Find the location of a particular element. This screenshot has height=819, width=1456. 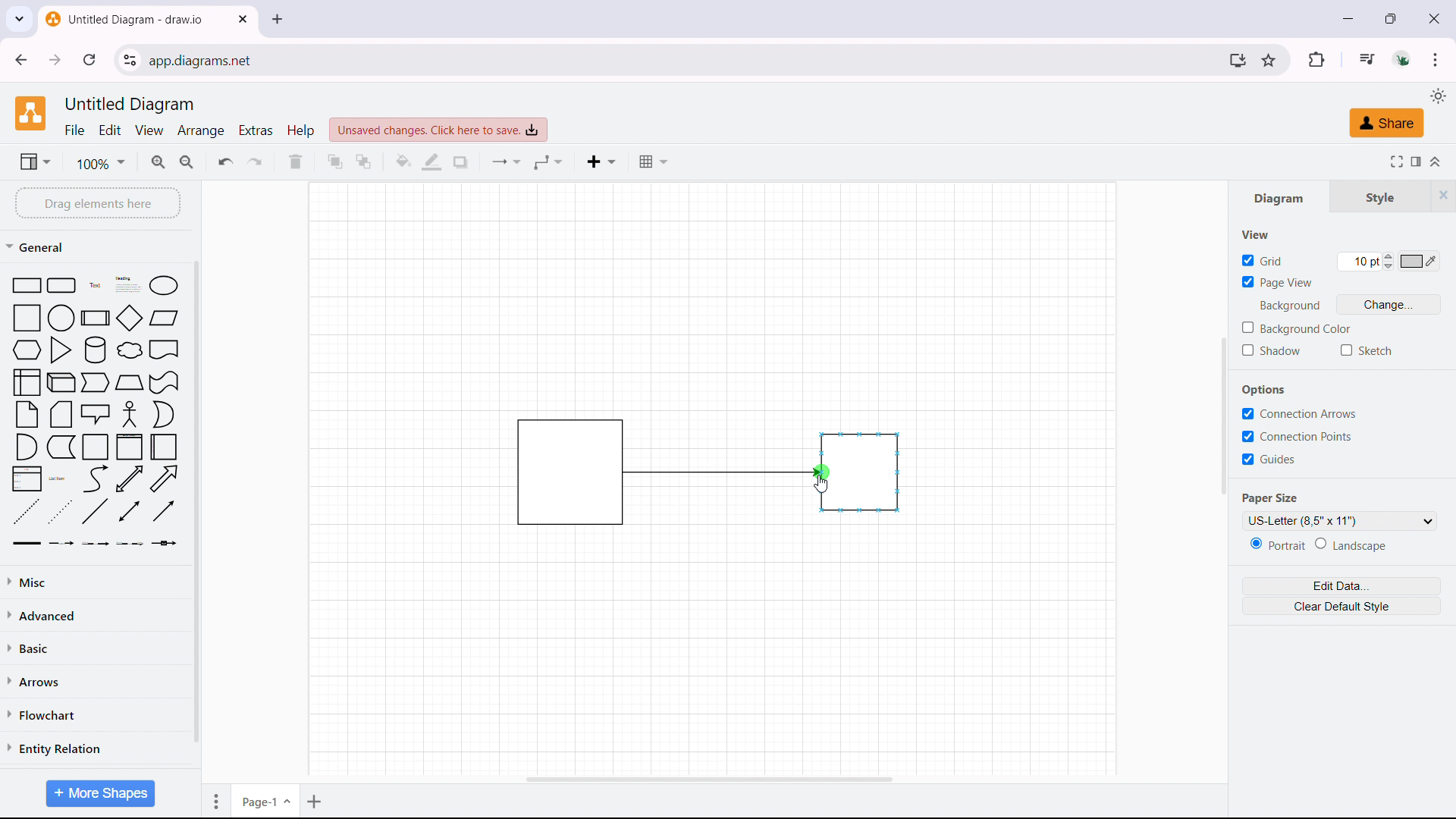

current page is located at coordinates (265, 799).